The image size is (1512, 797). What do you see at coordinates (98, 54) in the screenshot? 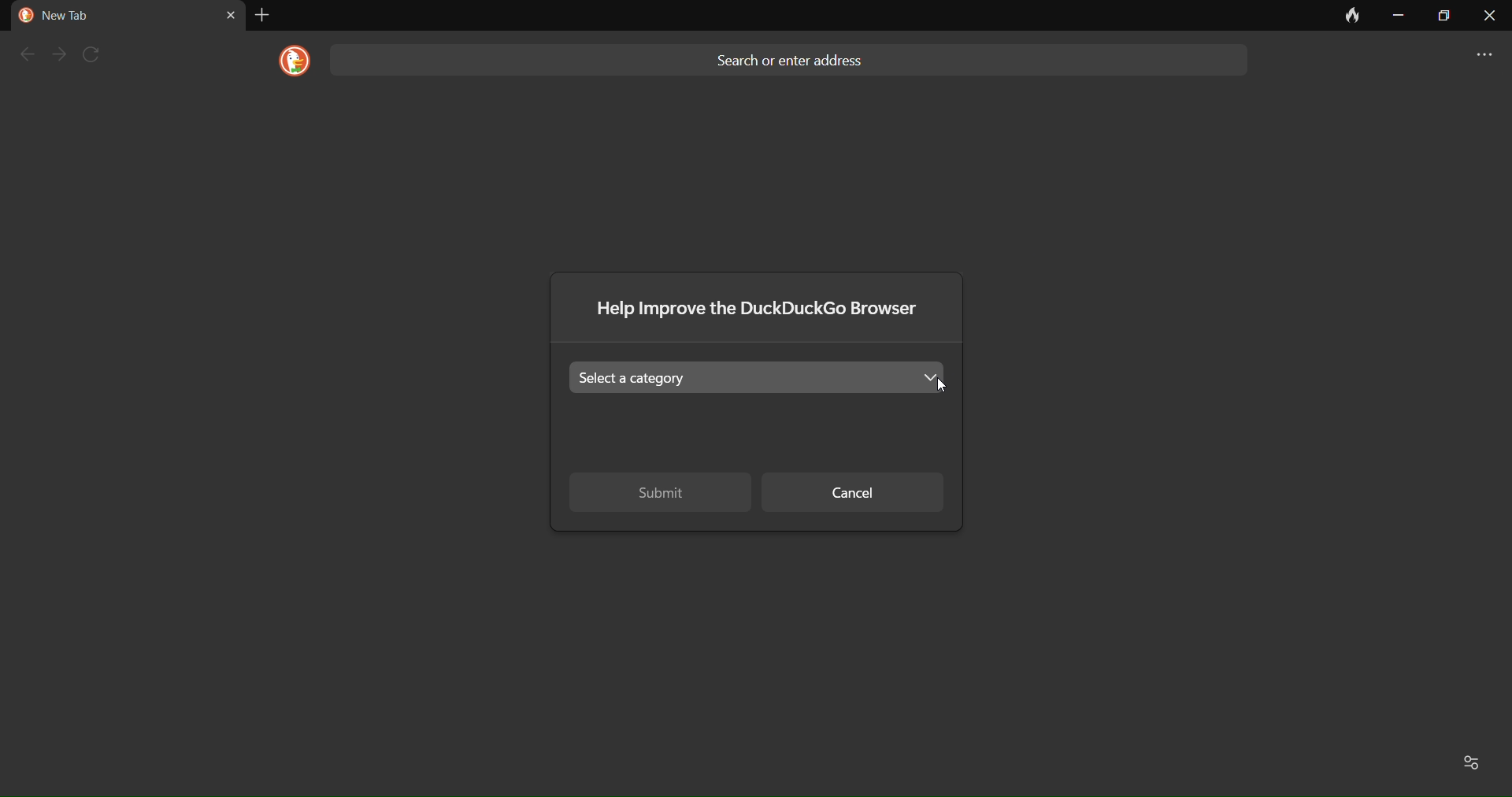
I see `refresh` at bounding box center [98, 54].